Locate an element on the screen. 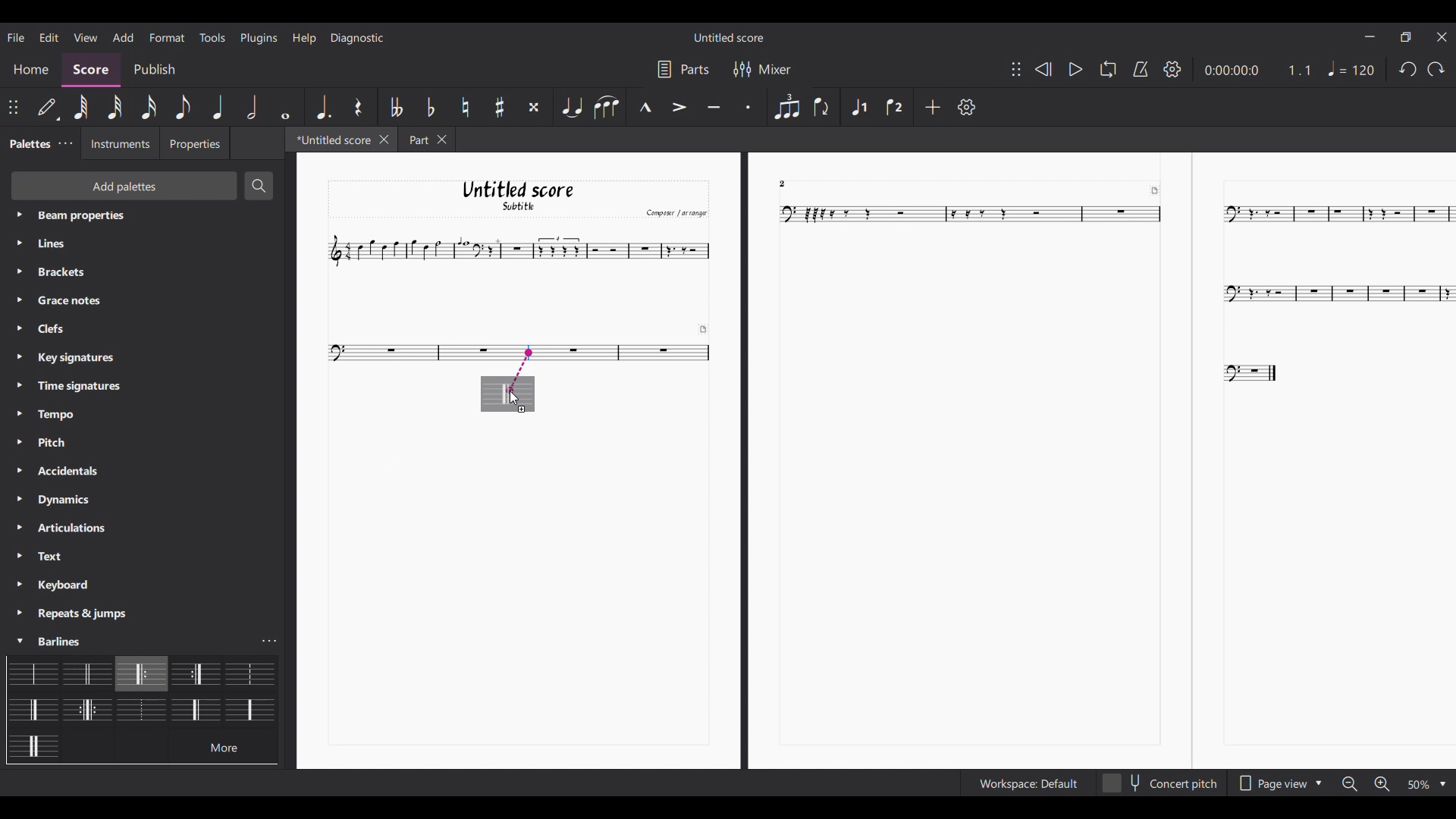  Workspace settings is located at coordinates (1027, 783).